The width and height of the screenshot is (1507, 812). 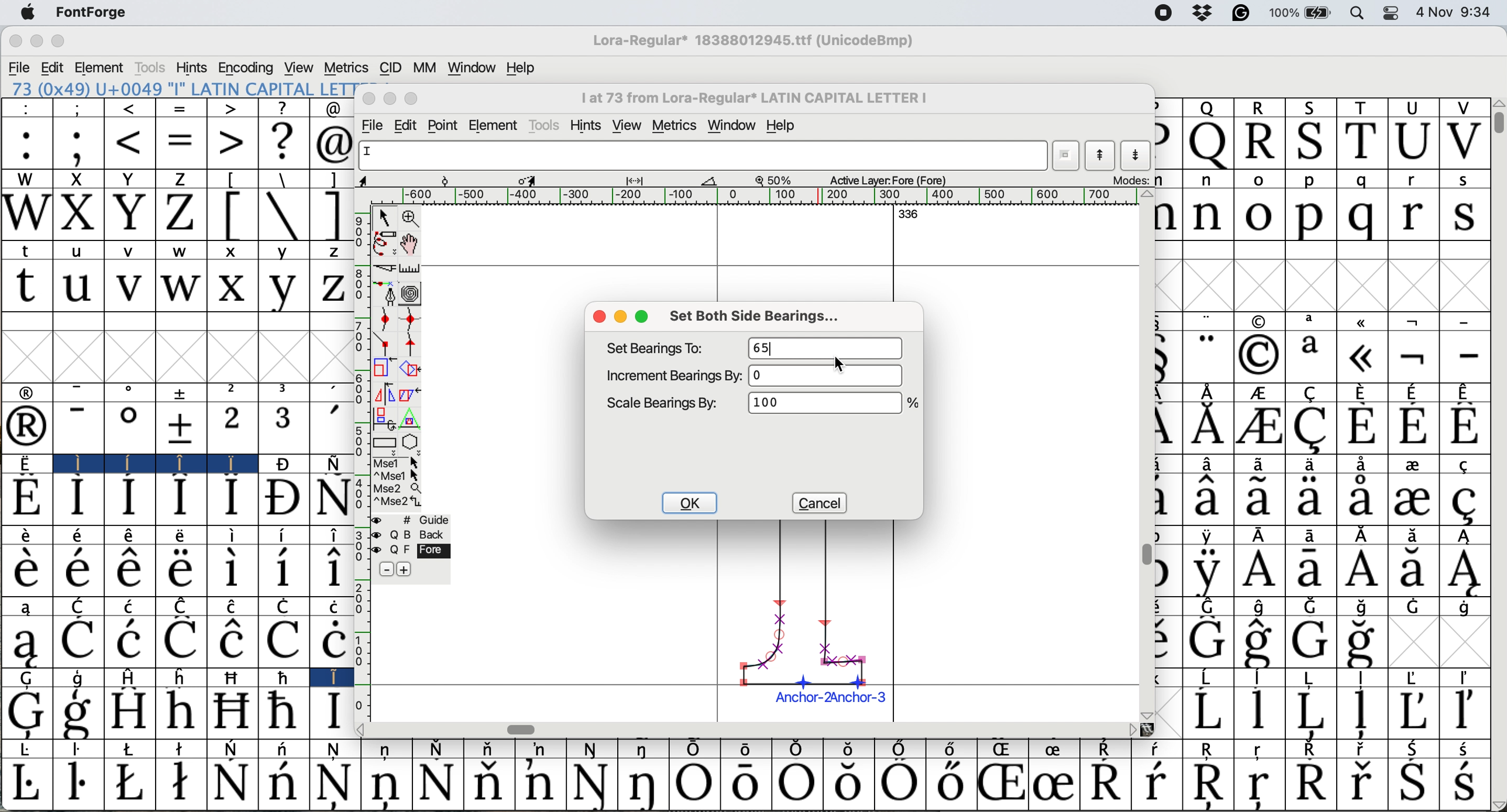 I want to click on Symbol, so click(x=181, y=641).